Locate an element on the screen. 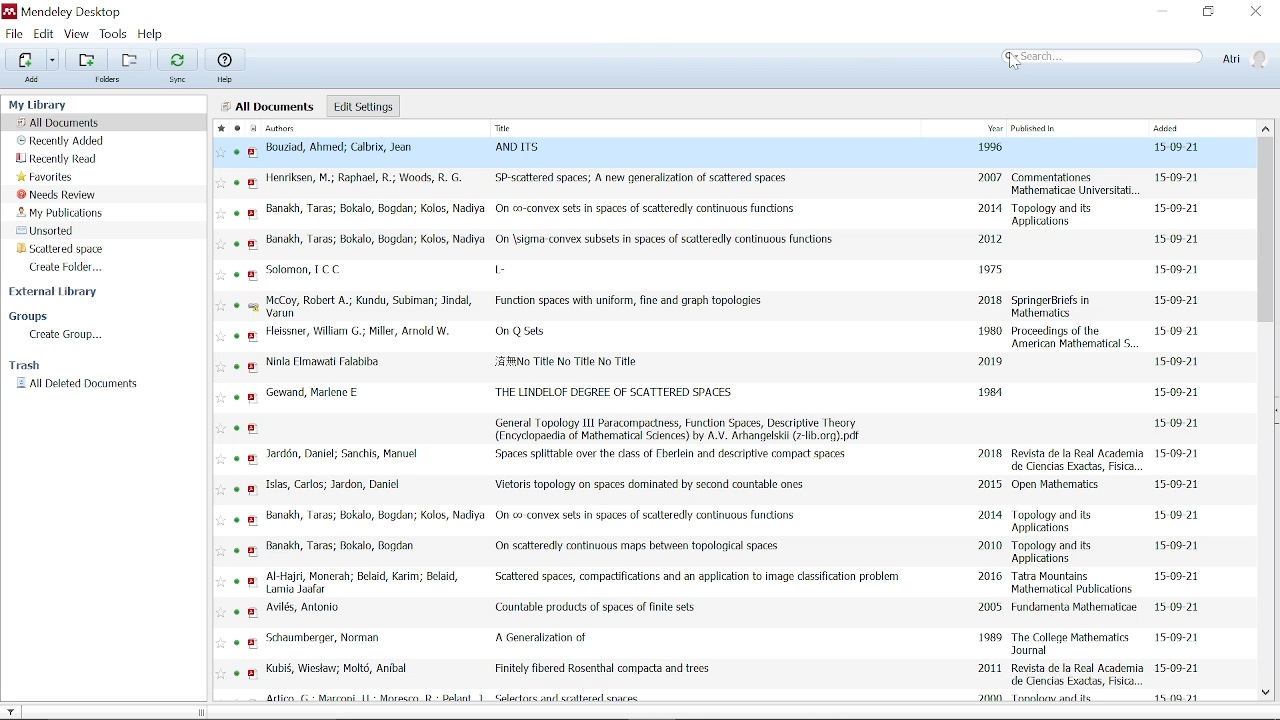  General Topology 111 Paracompactness, Function Spaces, Descriplive Theory (Encydopaedia of Mathematical Sciences) by A.V. Arhangelskl (7-lib.org).pdf 15-09-21 is located at coordinates (728, 428).